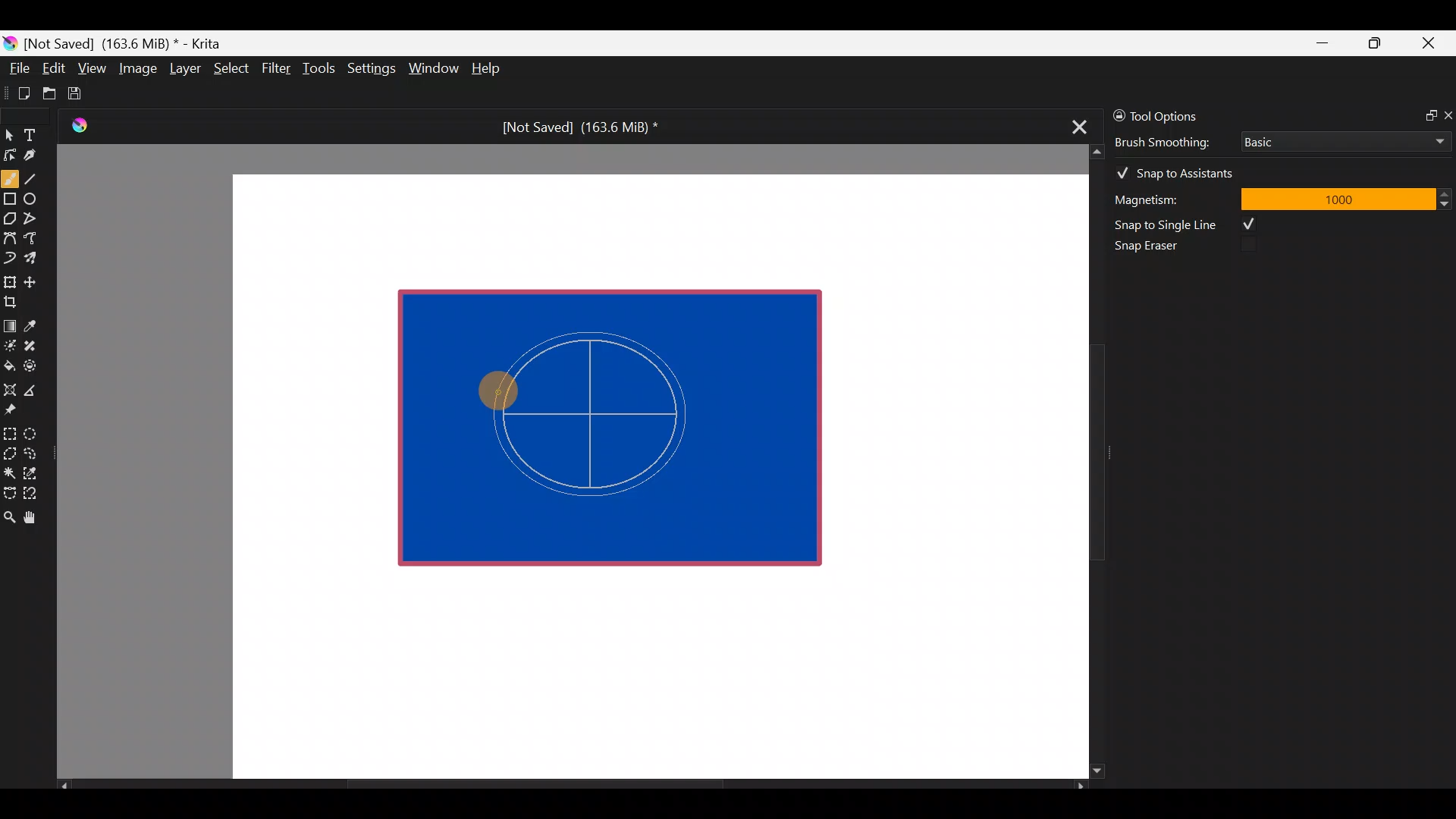 This screenshot has height=819, width=1456. What do you see at coordinates (1424, 114) in the screenshot?
I see `Float docker` at bounding box center [1424, 114].